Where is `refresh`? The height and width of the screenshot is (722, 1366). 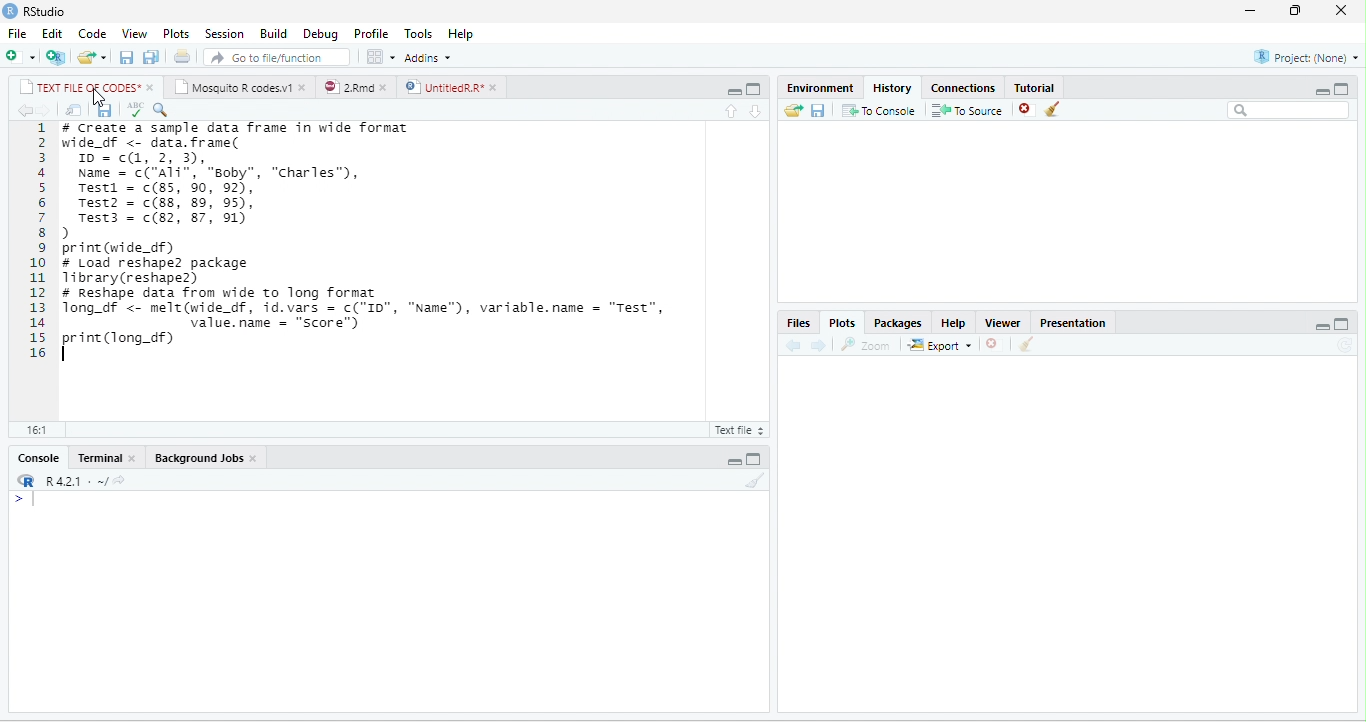 refresh is located at coordinates (1345, 345).